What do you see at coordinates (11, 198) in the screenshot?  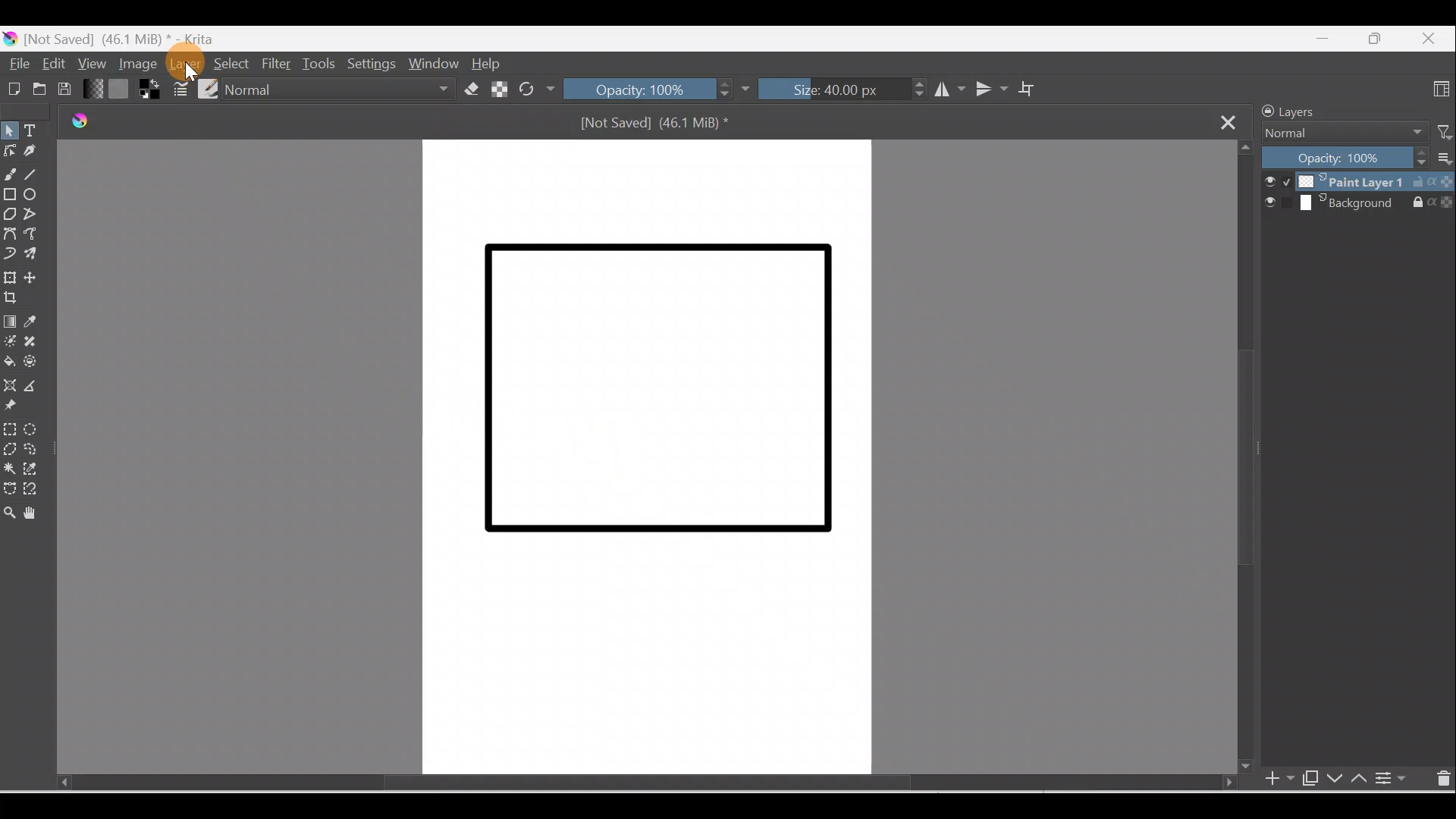 I see `Rectangle tool` at bounding box center [11, 198].